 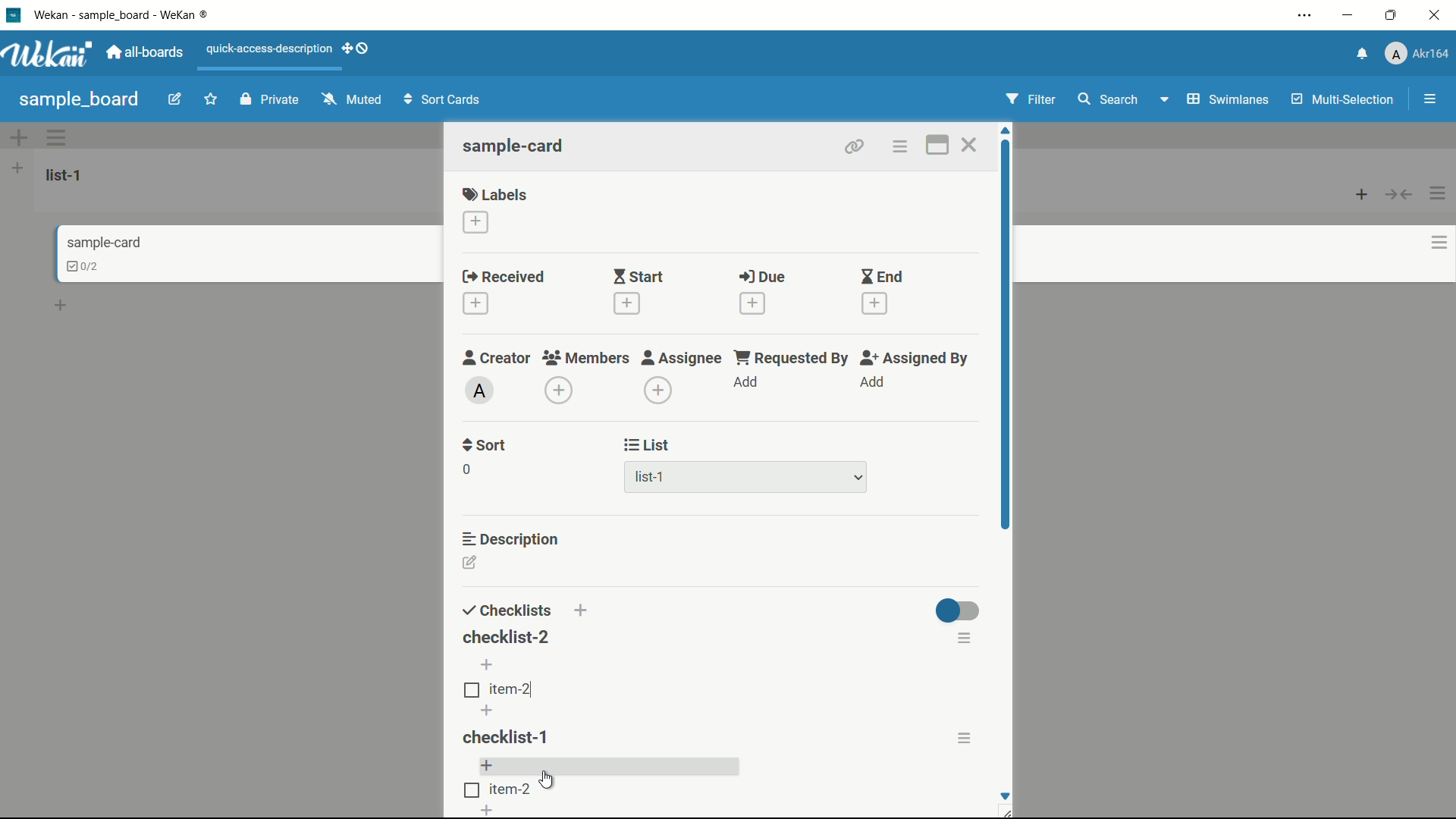 I want to click on requested by, so click(x=792, y=357).